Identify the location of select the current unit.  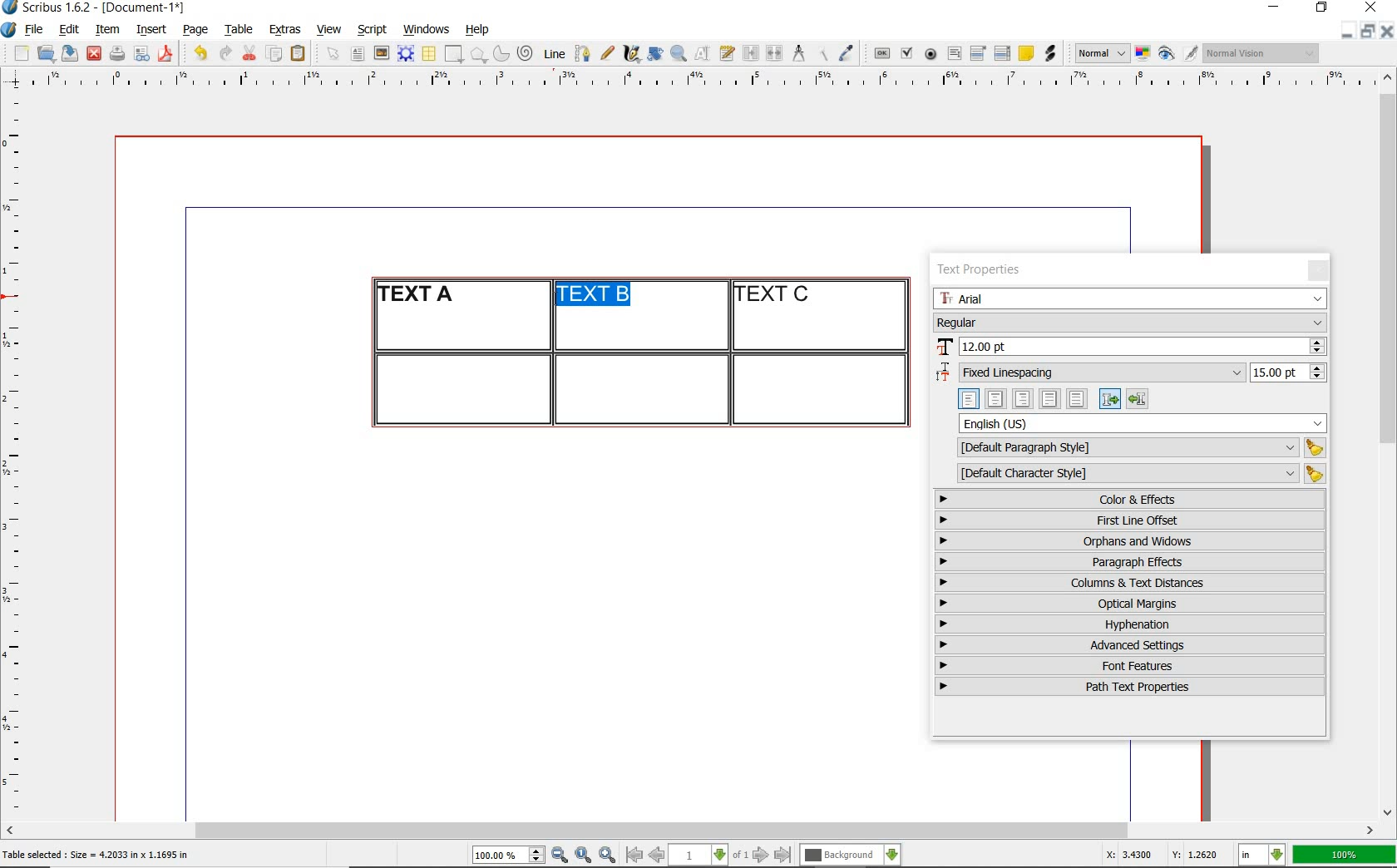
(1262, 856).